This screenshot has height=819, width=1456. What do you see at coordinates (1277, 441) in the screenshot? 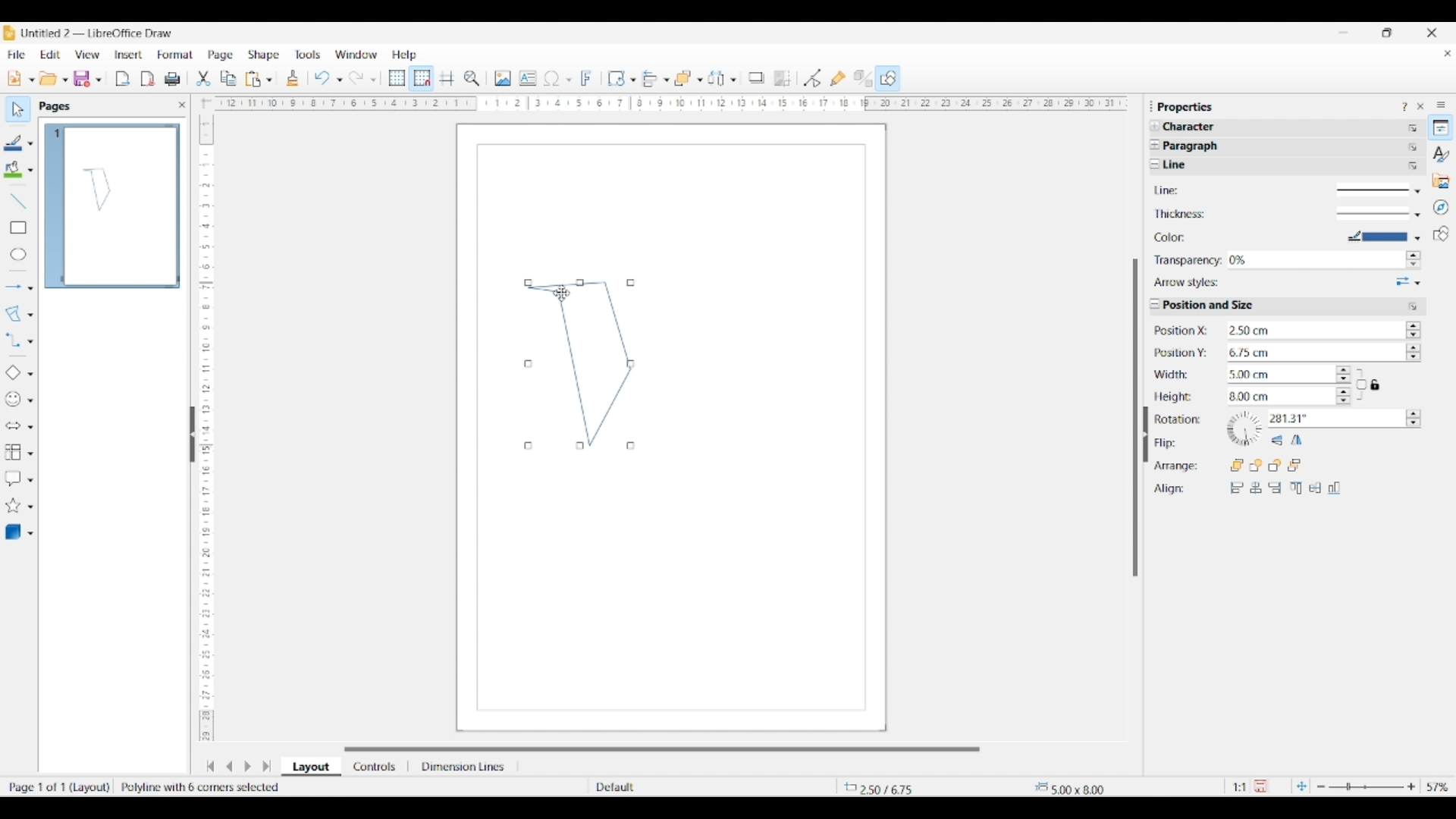
I see `Flip vertically` at bounding box center [1277, 441].